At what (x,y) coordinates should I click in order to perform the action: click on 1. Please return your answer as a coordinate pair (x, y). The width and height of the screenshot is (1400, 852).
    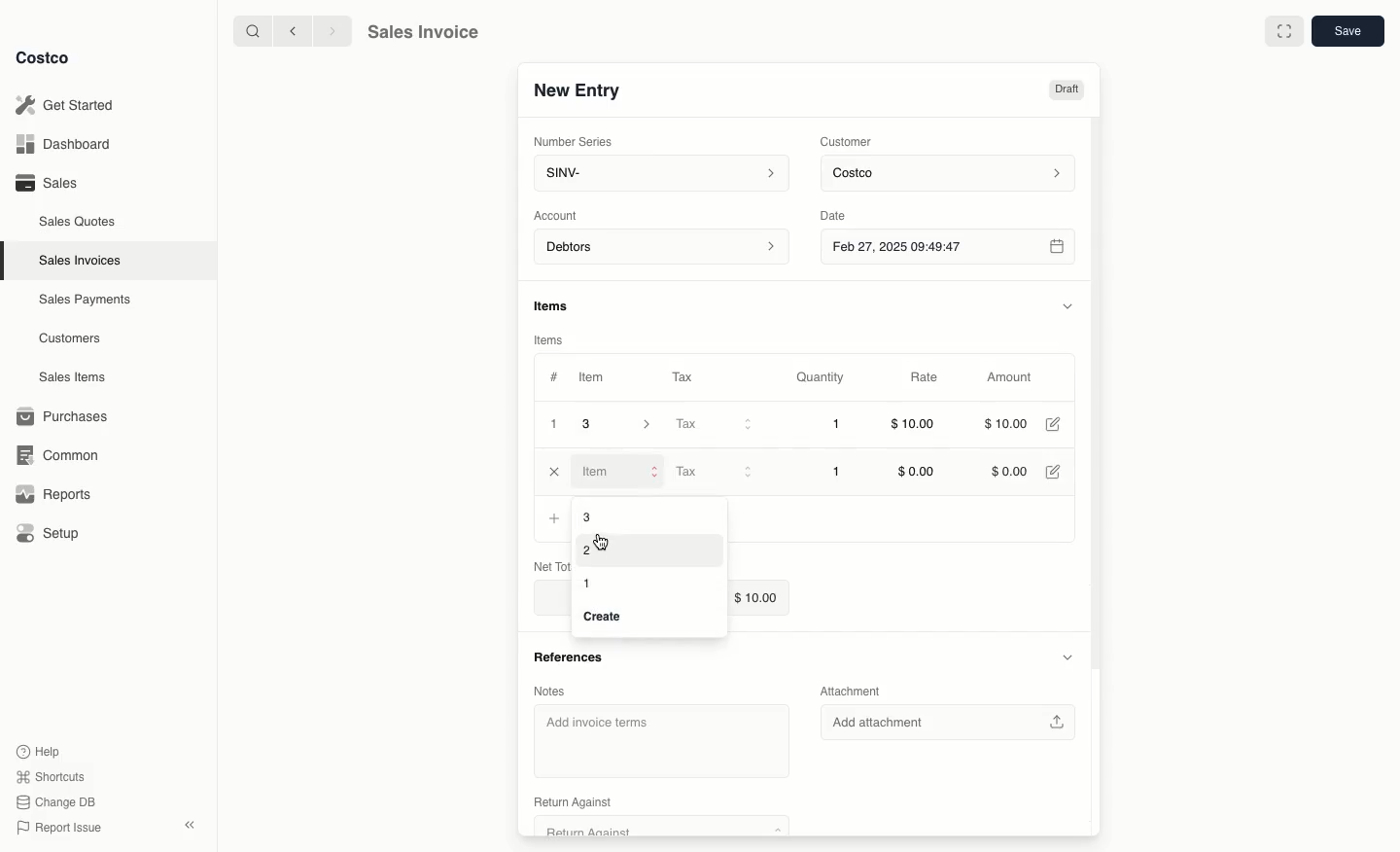
    Looking at the image, I should click on (838, 426).